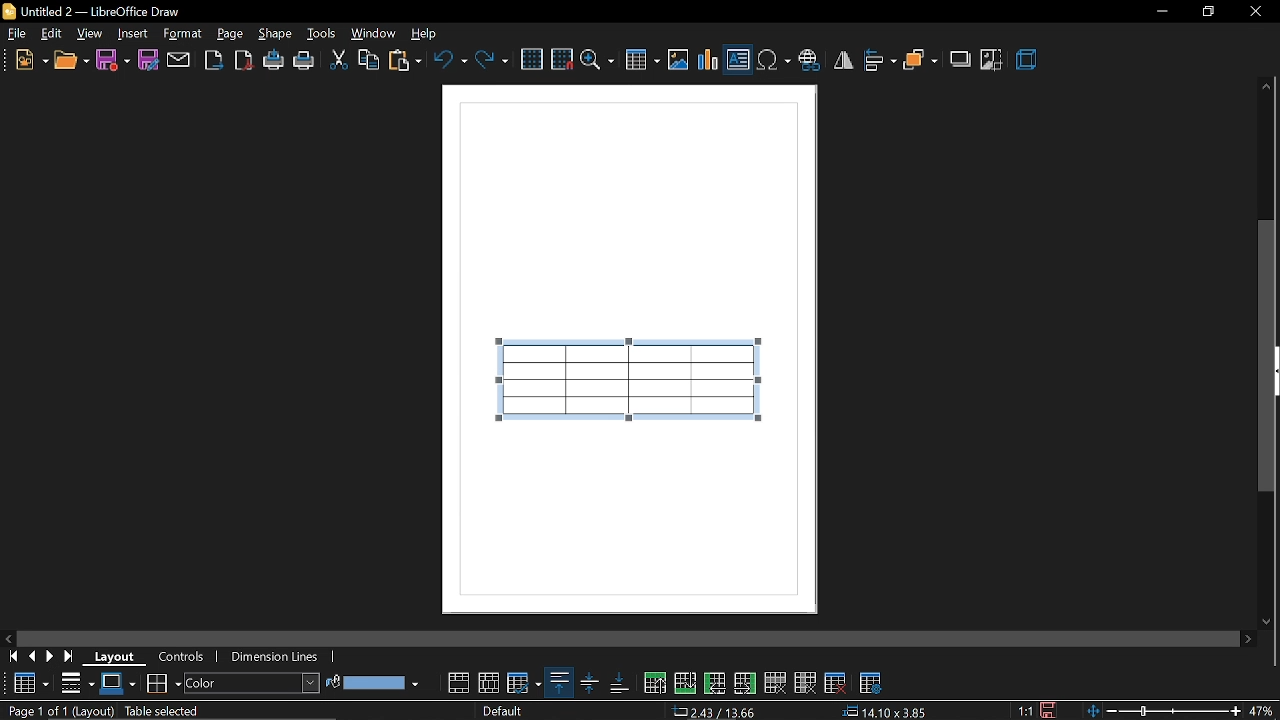 This screenshot has width=1280, height=720. What do you see at coordinates (775, 682) in the screenshot?
I see `delete row` at bounding box center [775, 682].